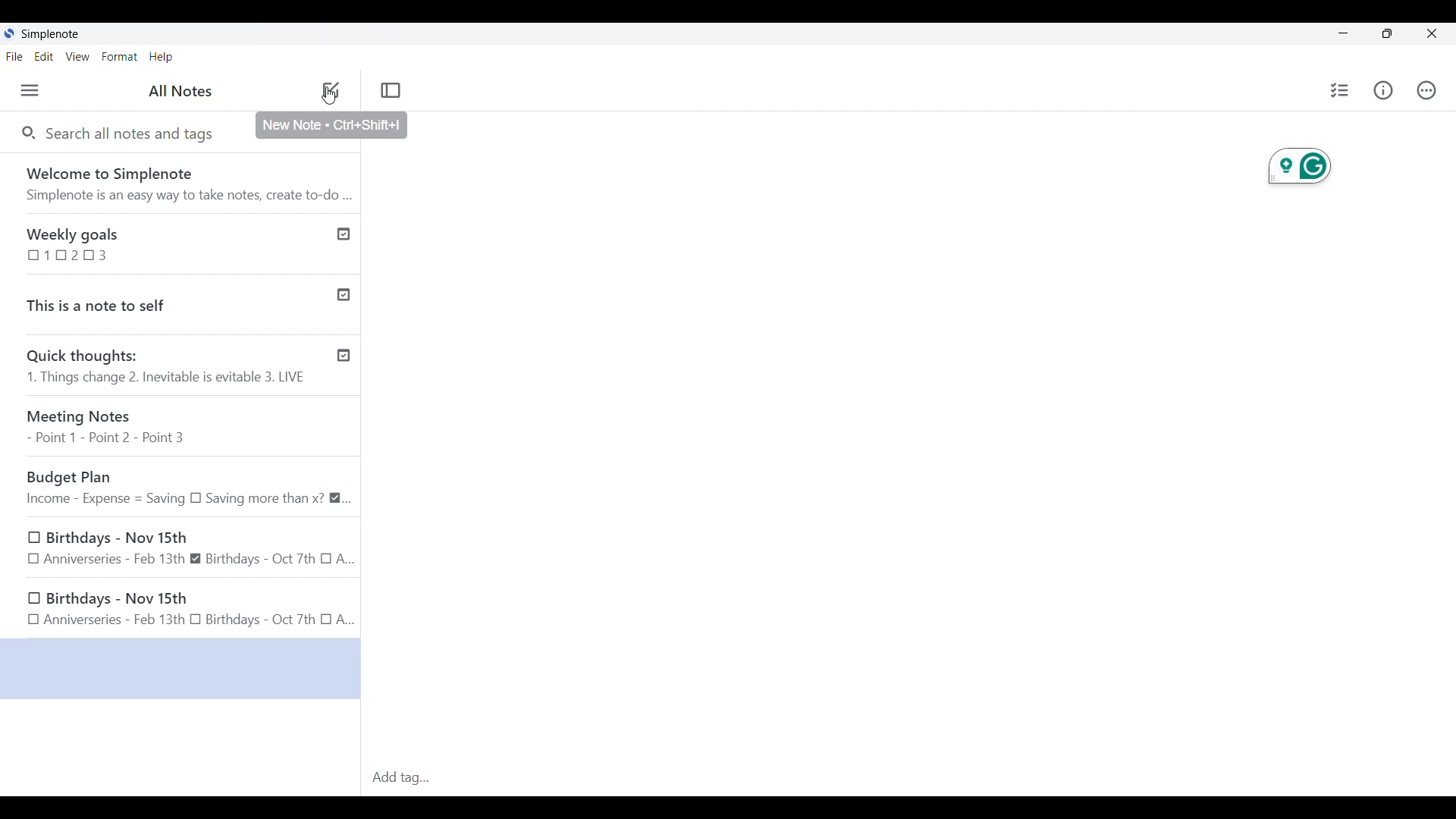 The height and width of the screenshot is (819, 1456). I want to click on File menu, so click(14, 56).